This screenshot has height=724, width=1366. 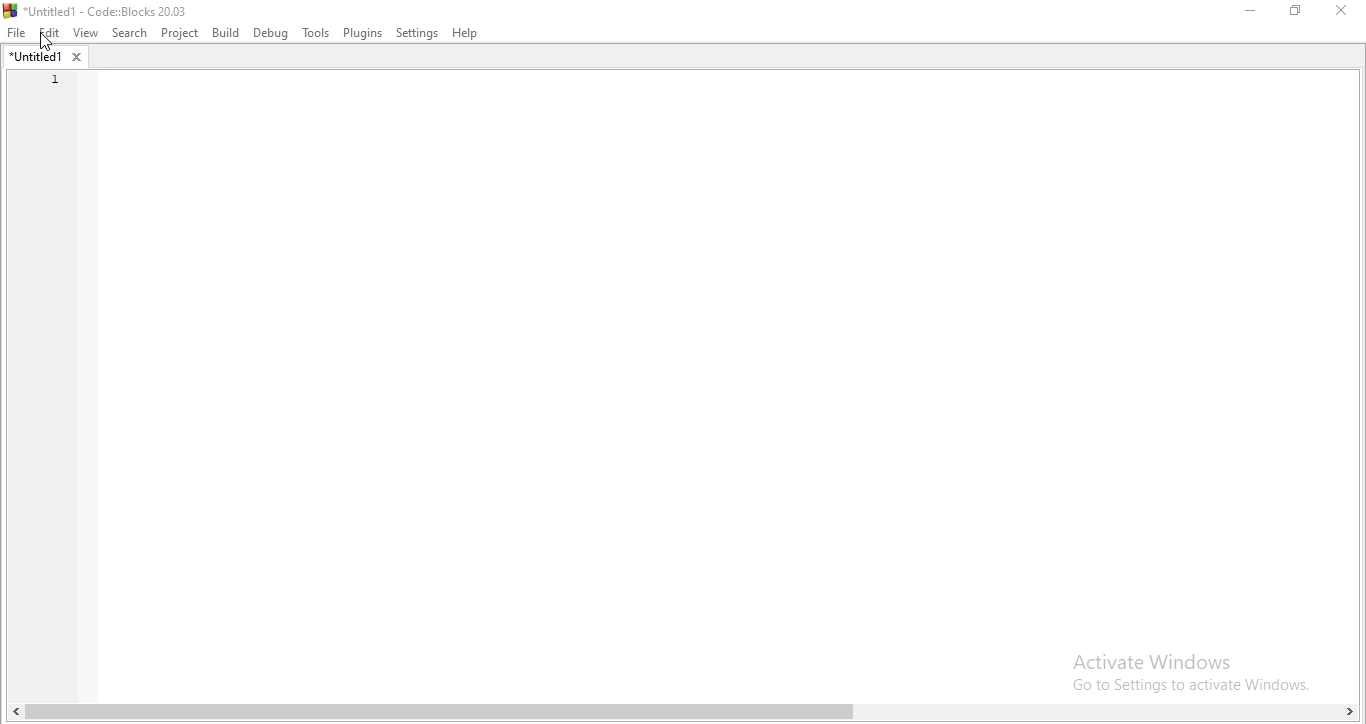 What do you see at coordinates (49, 33) in the screenshot?
I see `Edit ` at bounding box center [49, 33].